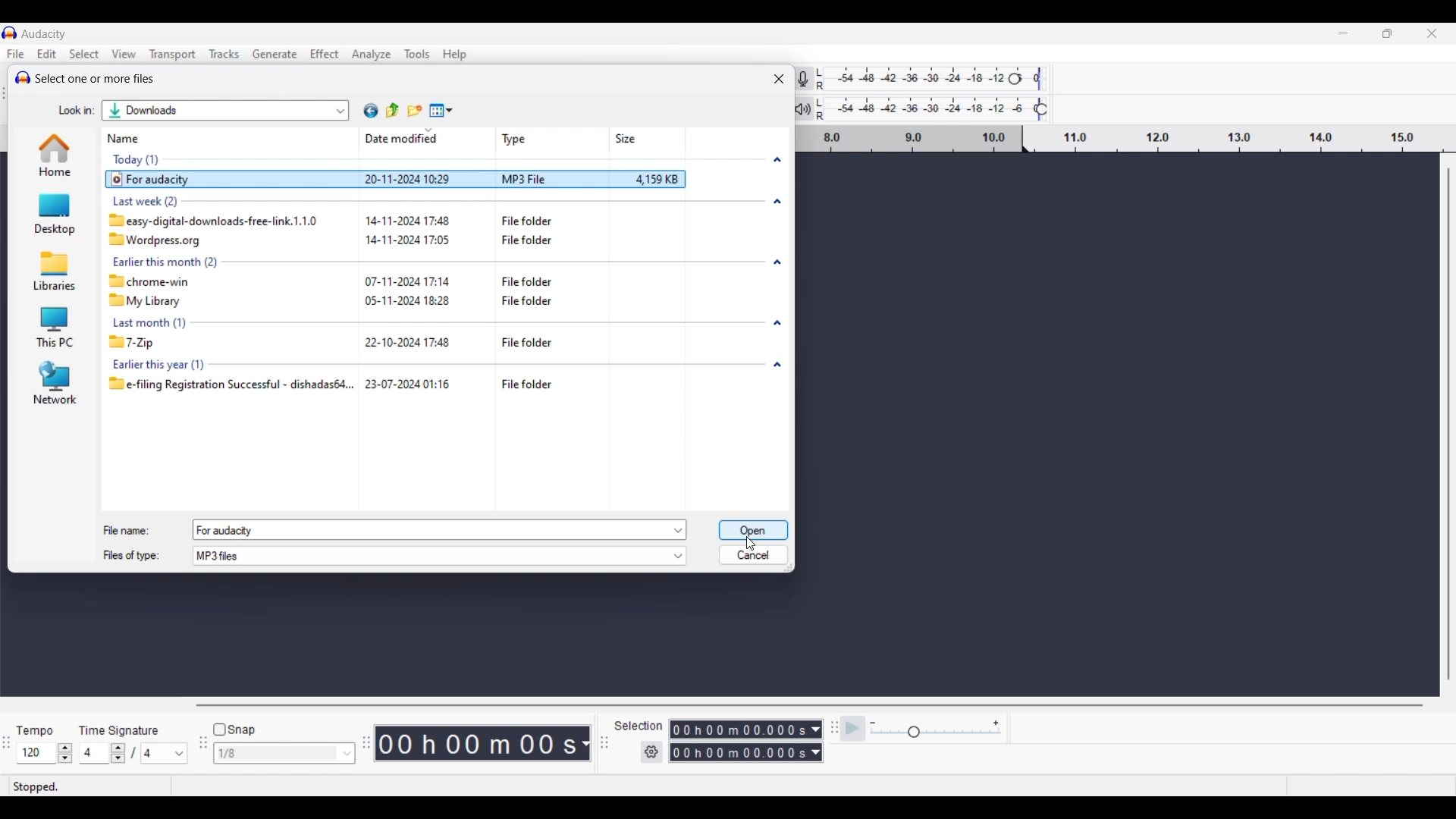 The height and width of the screenshot is (819, 1456). I want to click on Change window length and width, so click(792, 571).